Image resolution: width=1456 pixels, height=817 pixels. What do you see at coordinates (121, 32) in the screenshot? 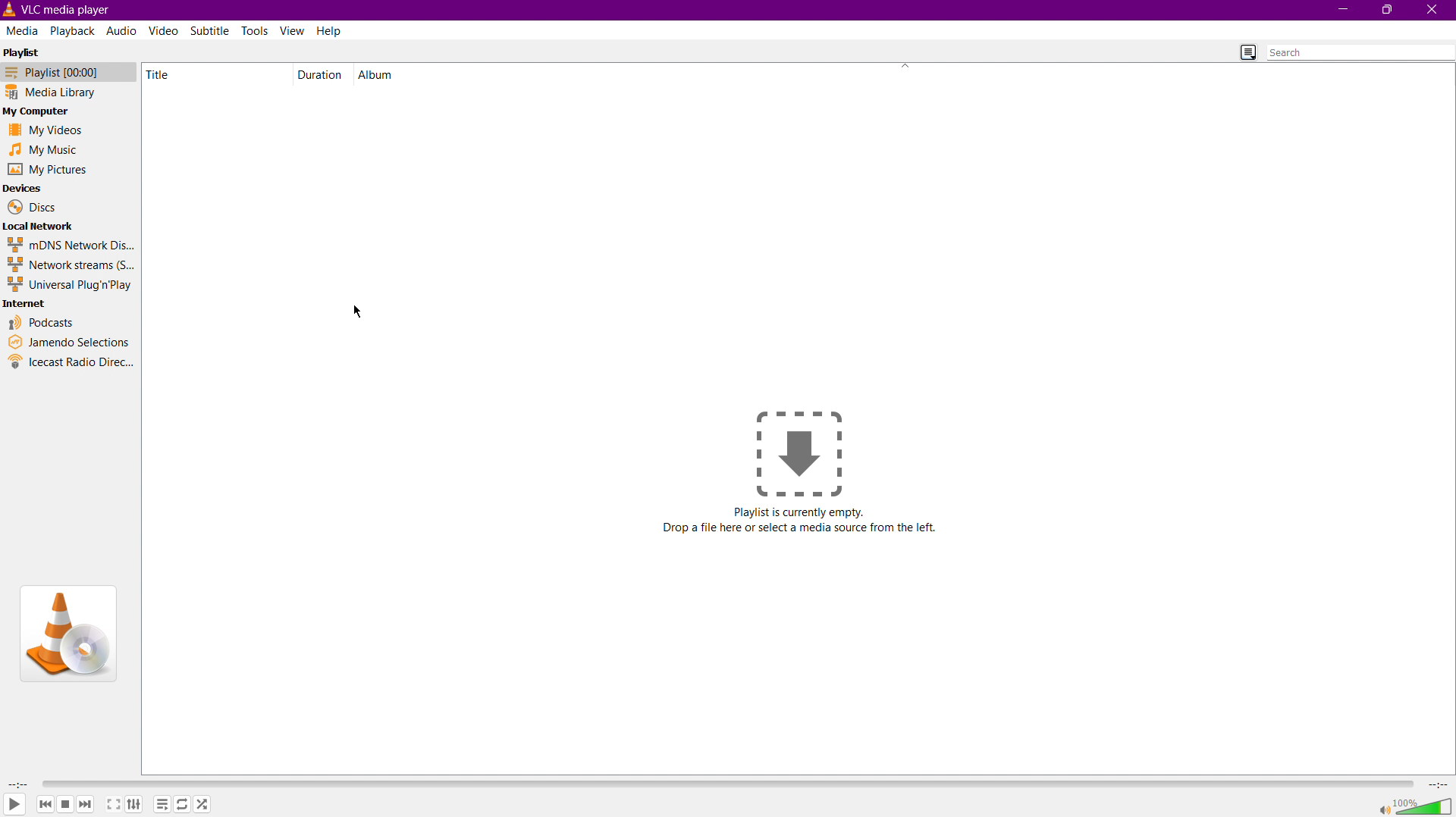
I see `Audio` at bounding box center [121, 32].